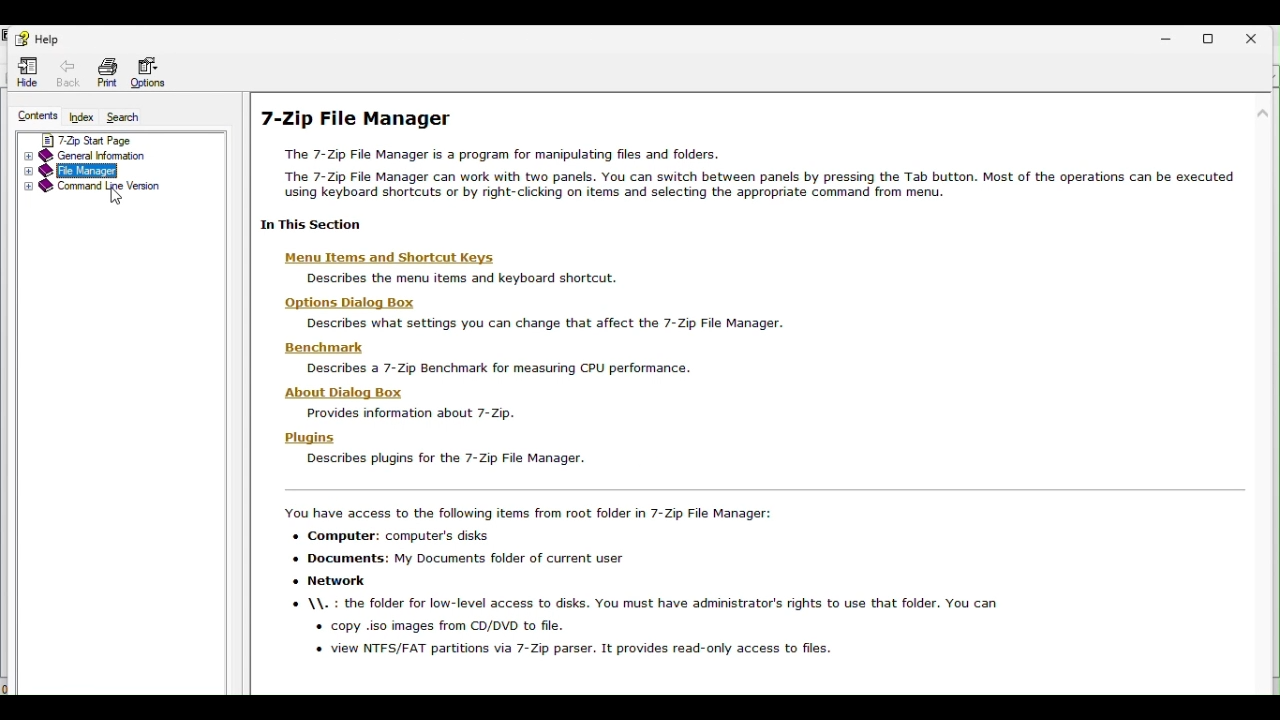  What do you see at coordinates (1176, 35) in the screenshot?
I see `Minimize` at bounding box center [1176, 35].